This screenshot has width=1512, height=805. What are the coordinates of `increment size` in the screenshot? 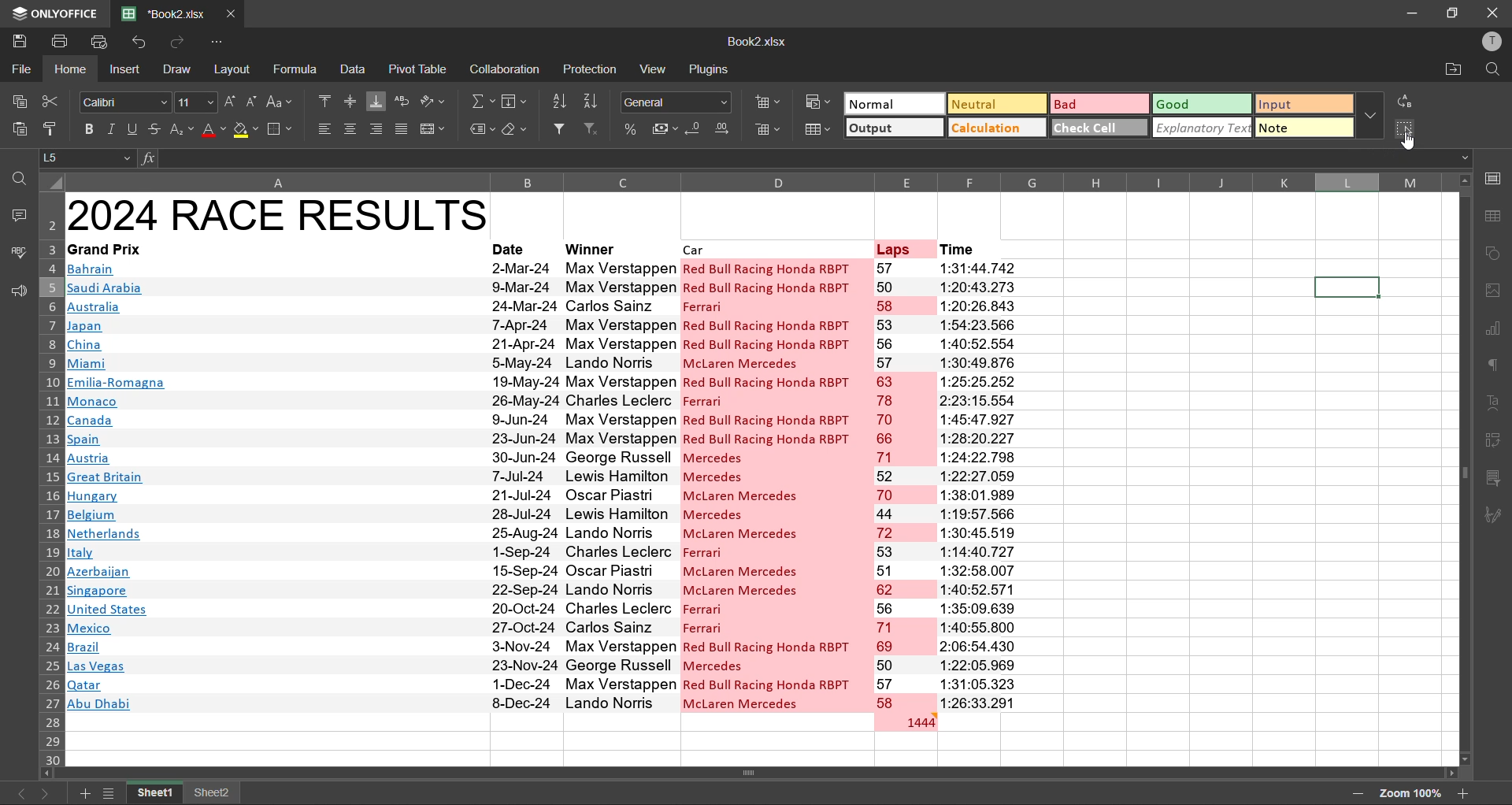 It's located at (232, 102).